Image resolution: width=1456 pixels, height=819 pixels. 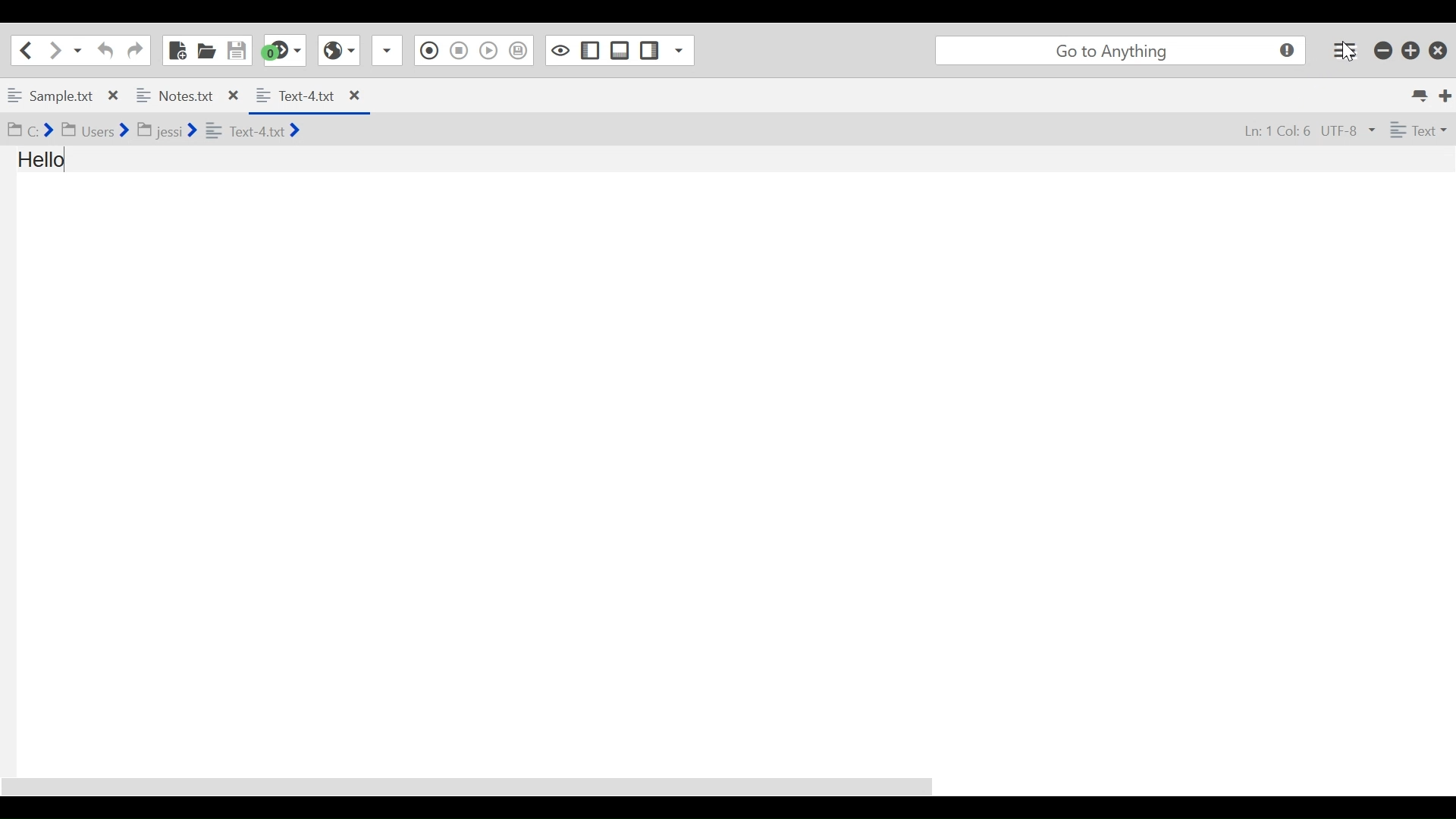 I want to click on Share File, so click(x=388, y=51).